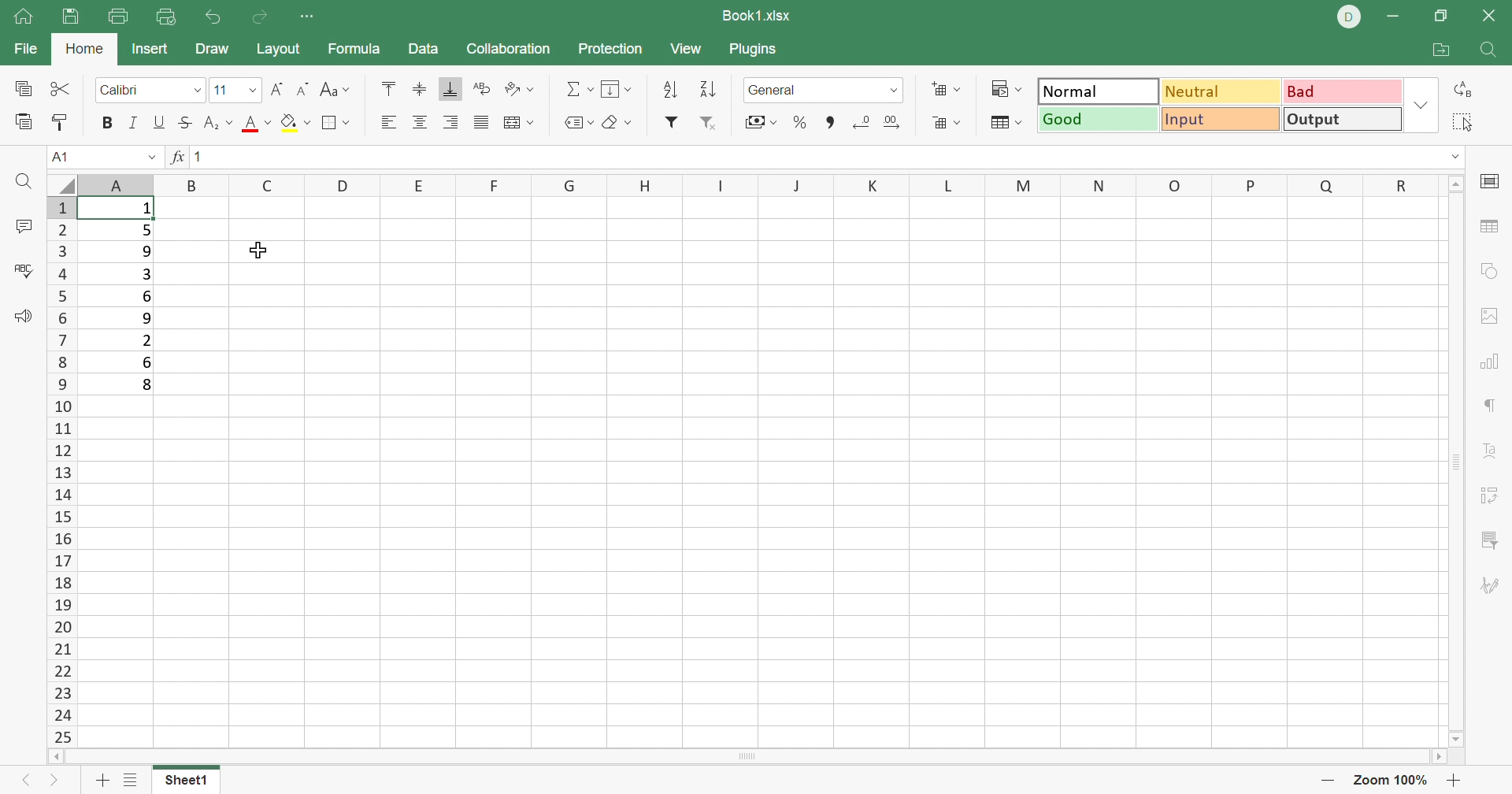 Image resolution: width=1512 pixels, height=794 pixels. What do you see at coordinates (1453, 780) in the screenshot?
I see `Zoom in` at bounding box center [1453, 780].